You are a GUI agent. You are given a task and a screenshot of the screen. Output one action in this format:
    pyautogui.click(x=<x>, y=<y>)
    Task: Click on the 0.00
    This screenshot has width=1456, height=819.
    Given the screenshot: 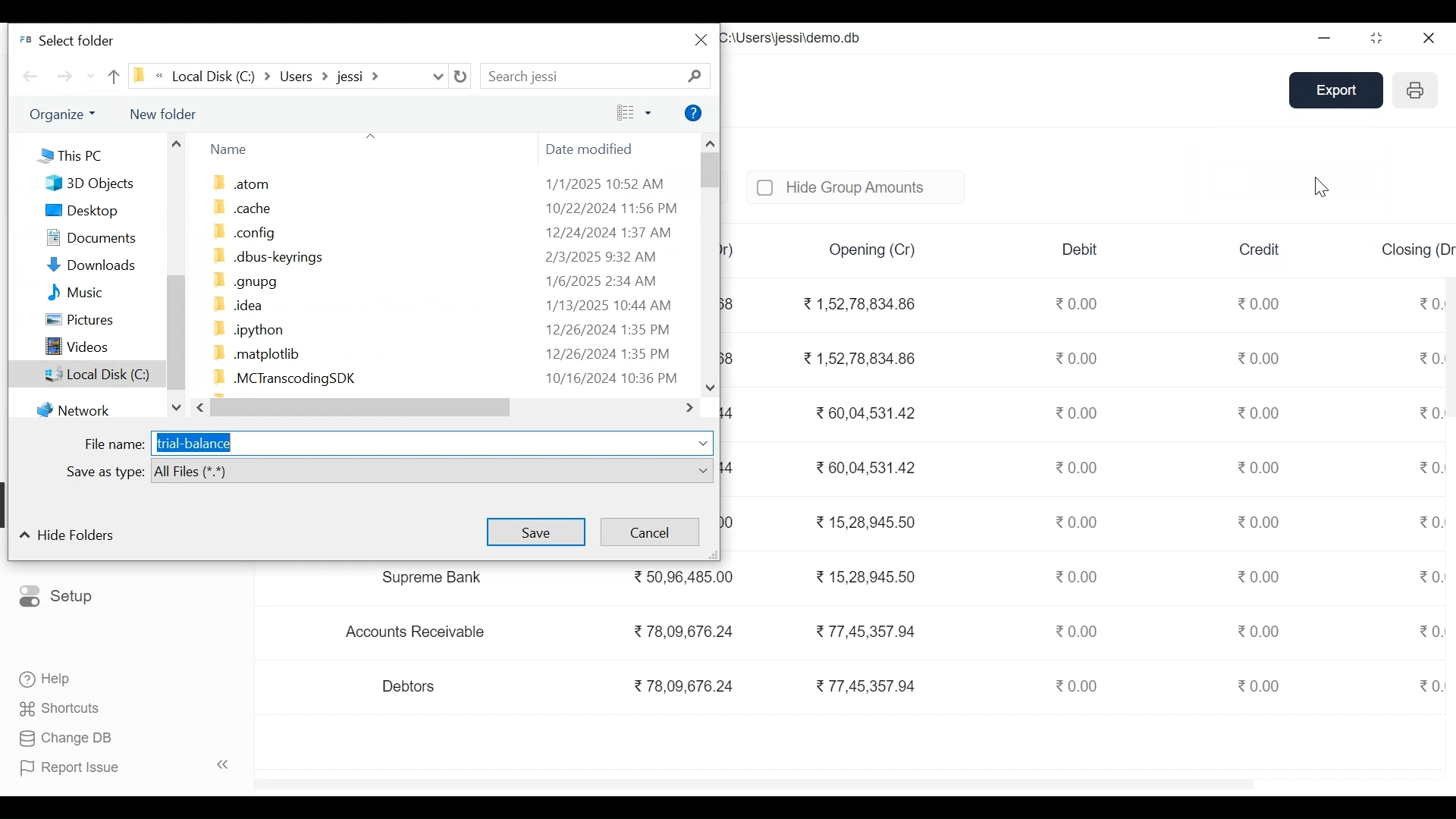 What is the action you would take?
    pyautogui.click(x=1262, y=685)
    